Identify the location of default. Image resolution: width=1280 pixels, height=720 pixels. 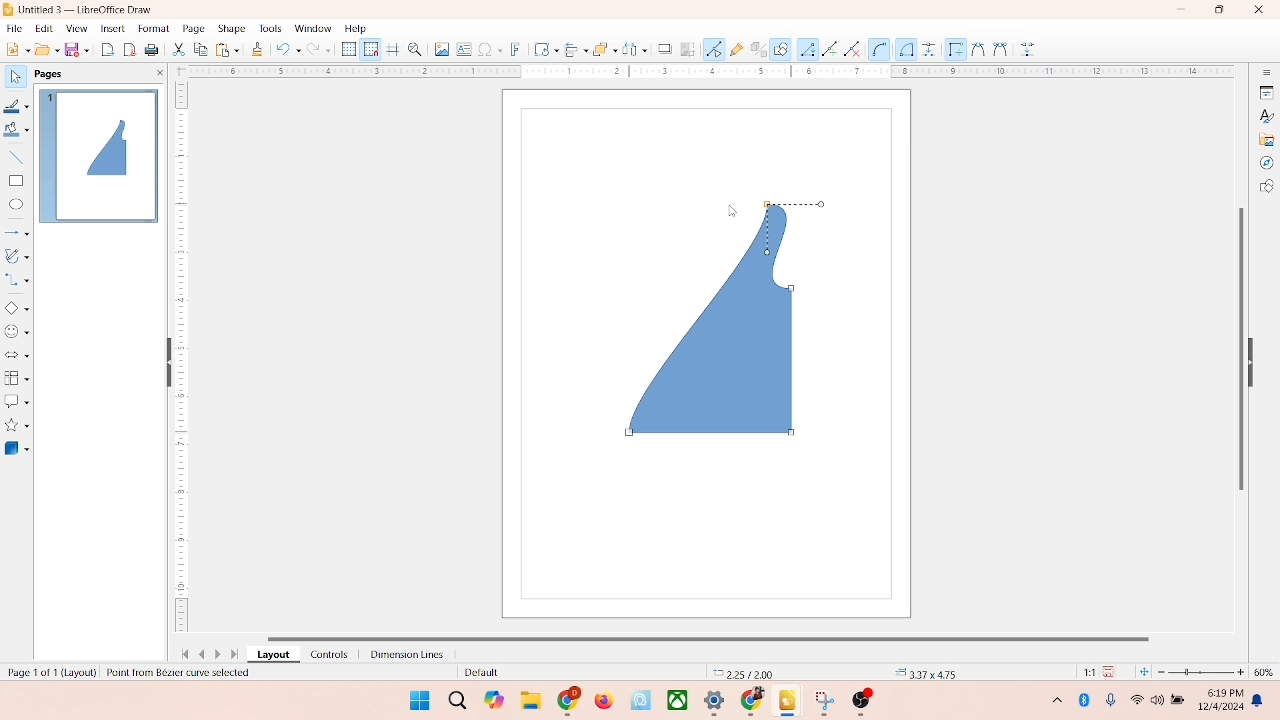
(465, 673).